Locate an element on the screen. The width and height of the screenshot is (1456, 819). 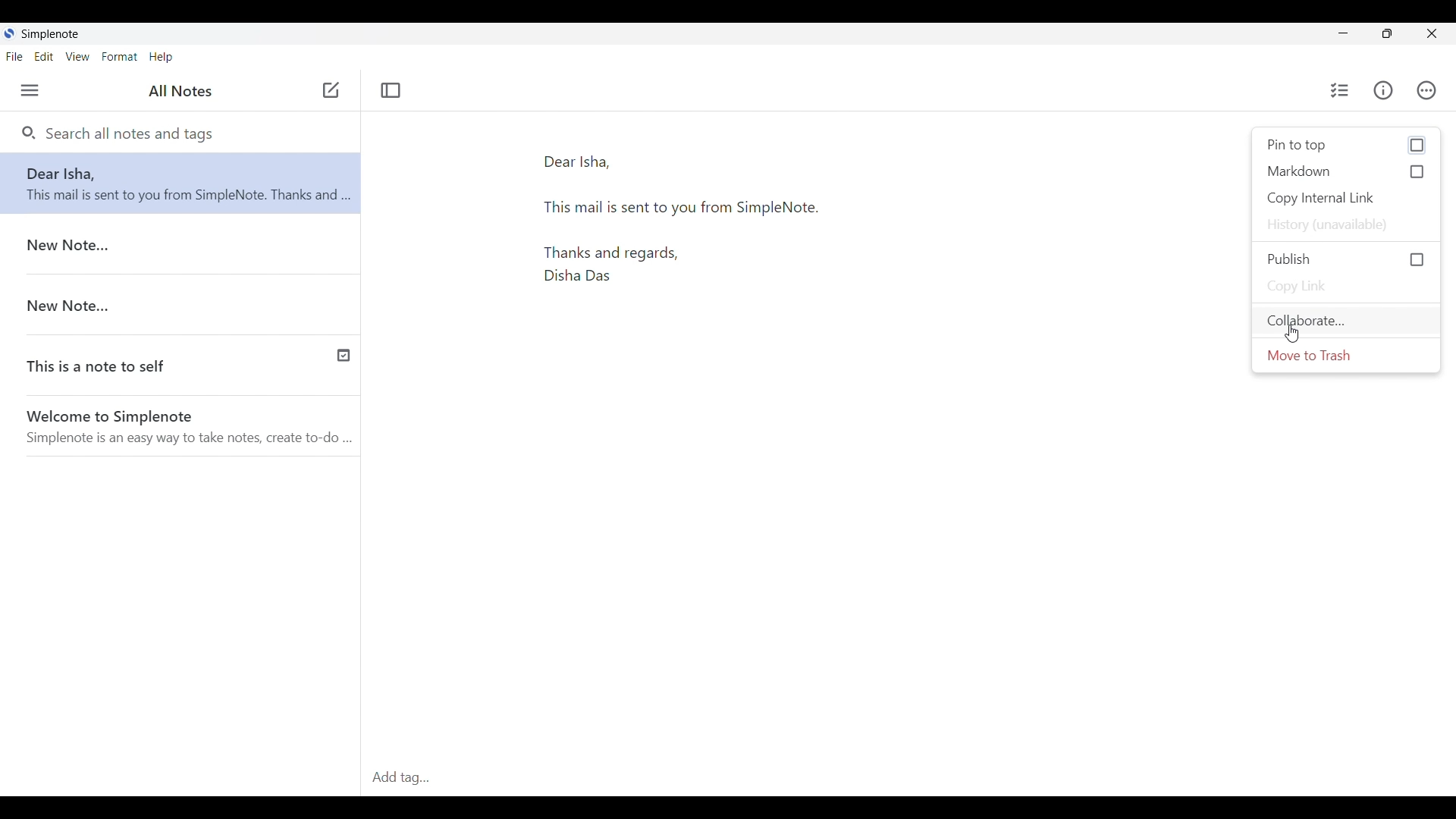
Close  is located at coordinates (1431, 33).